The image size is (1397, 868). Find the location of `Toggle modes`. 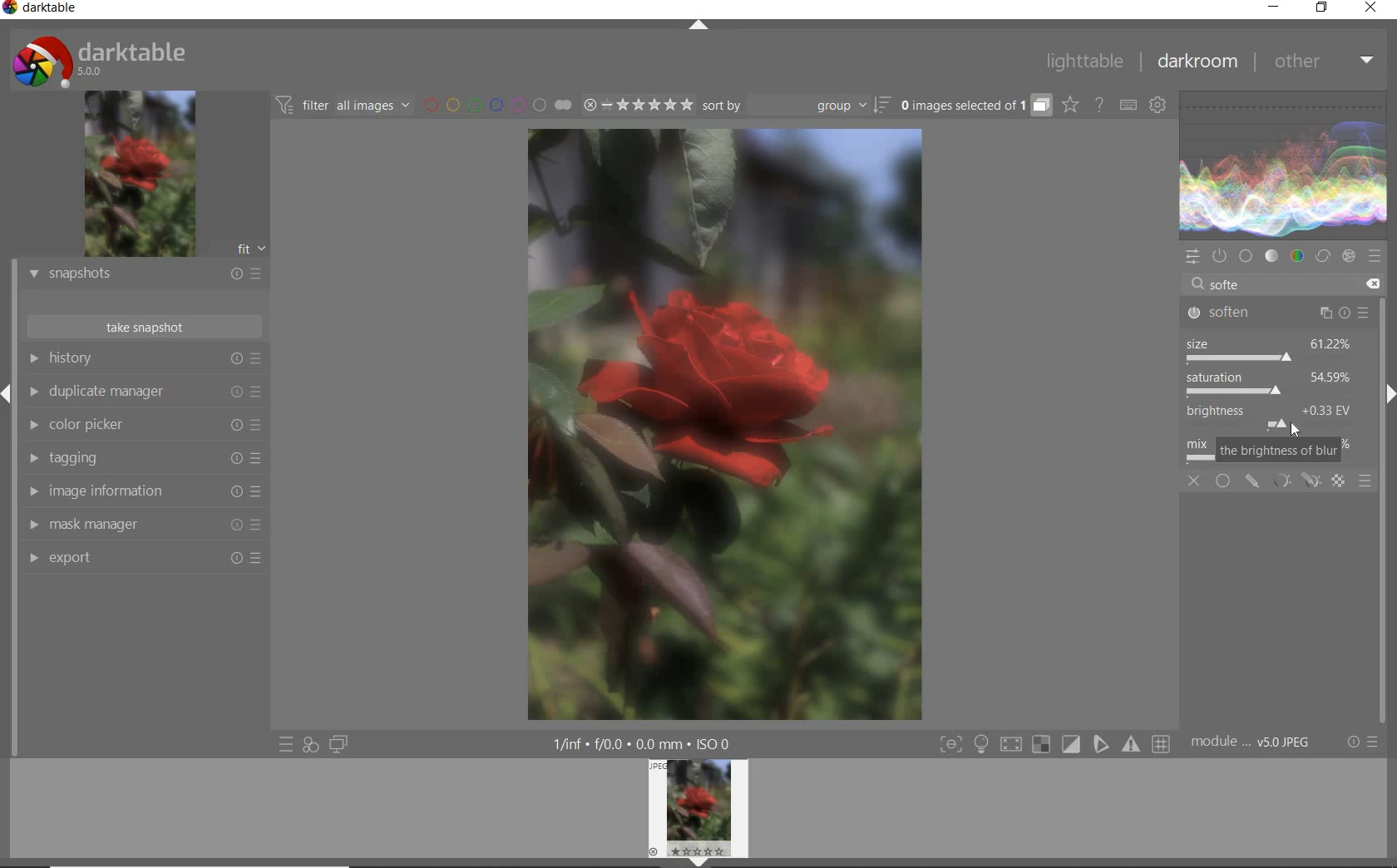

Toggle modes is located at coordinates (1052, 744).